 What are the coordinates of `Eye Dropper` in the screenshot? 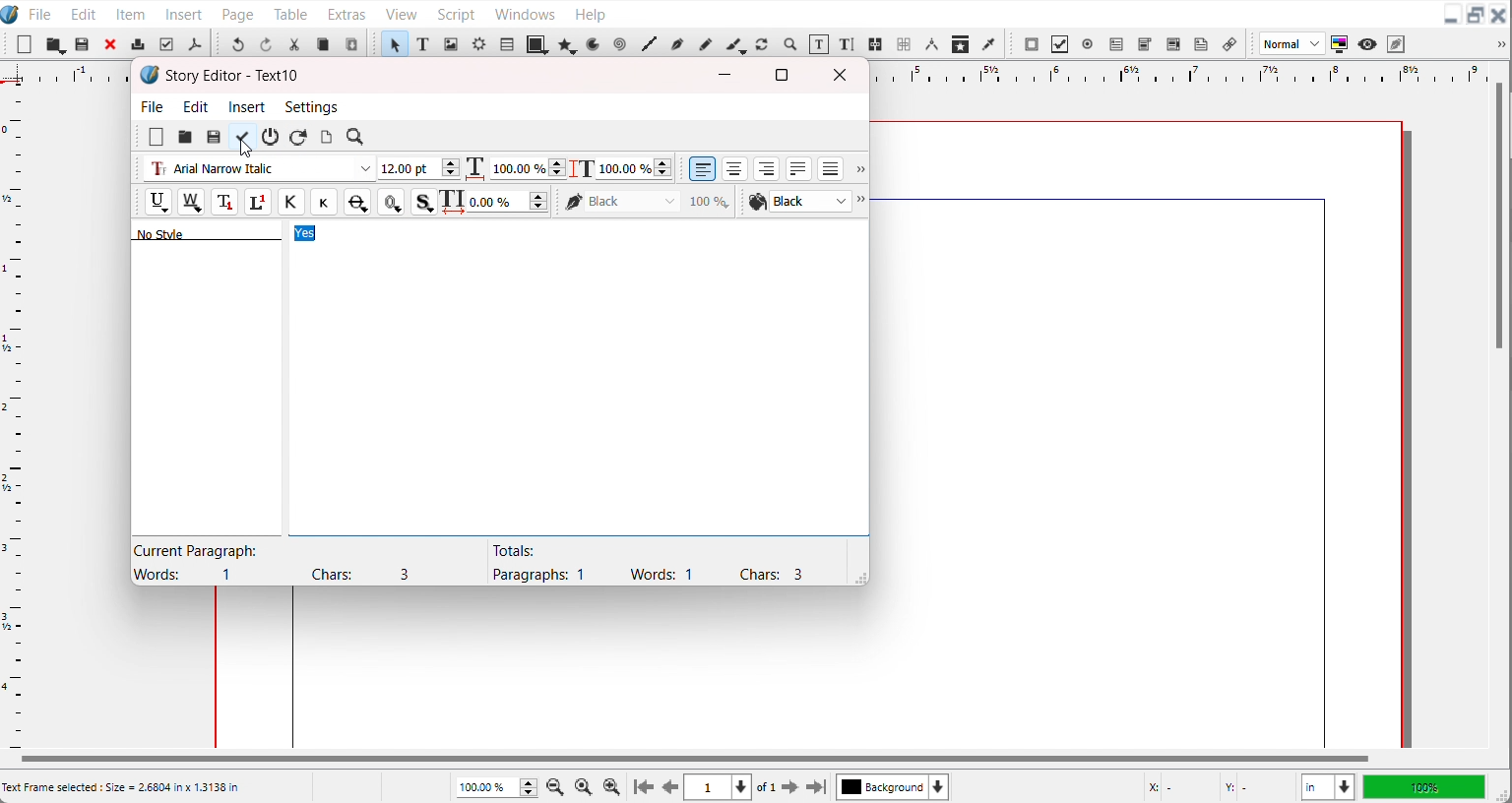 It's located at (990, 43).